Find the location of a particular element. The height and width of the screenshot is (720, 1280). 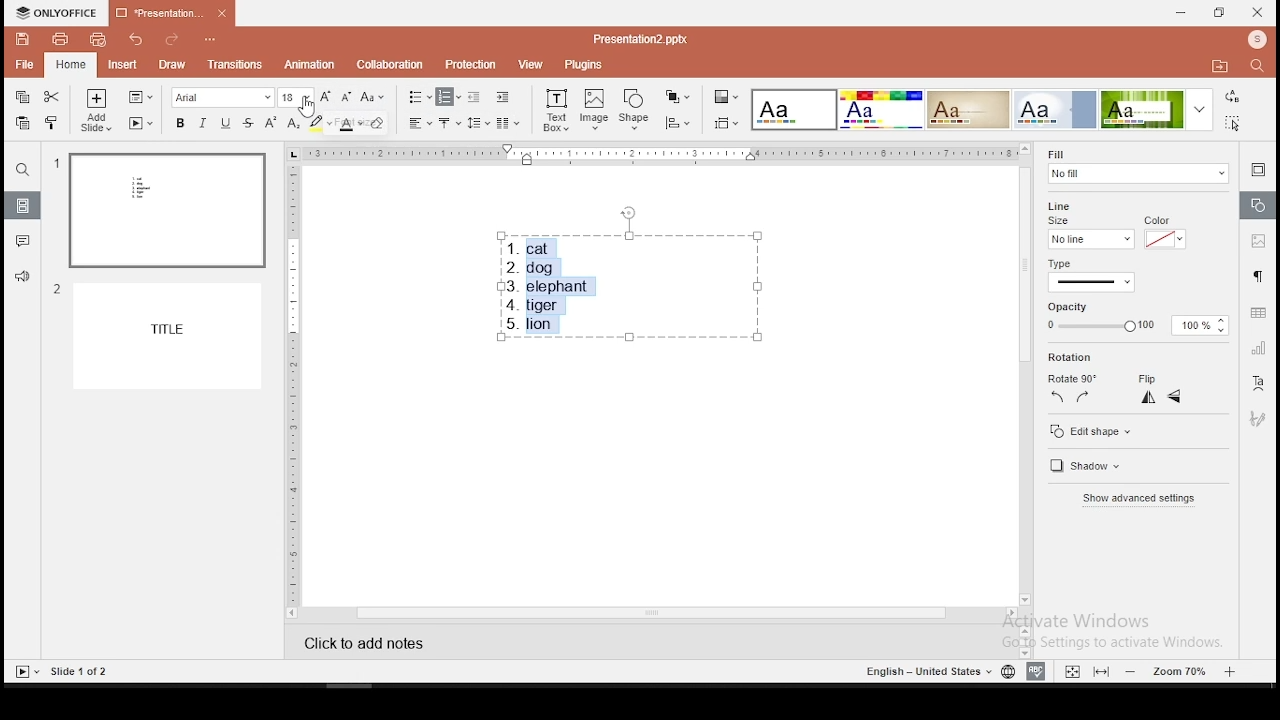

draw is located at coordinates (172, 64).